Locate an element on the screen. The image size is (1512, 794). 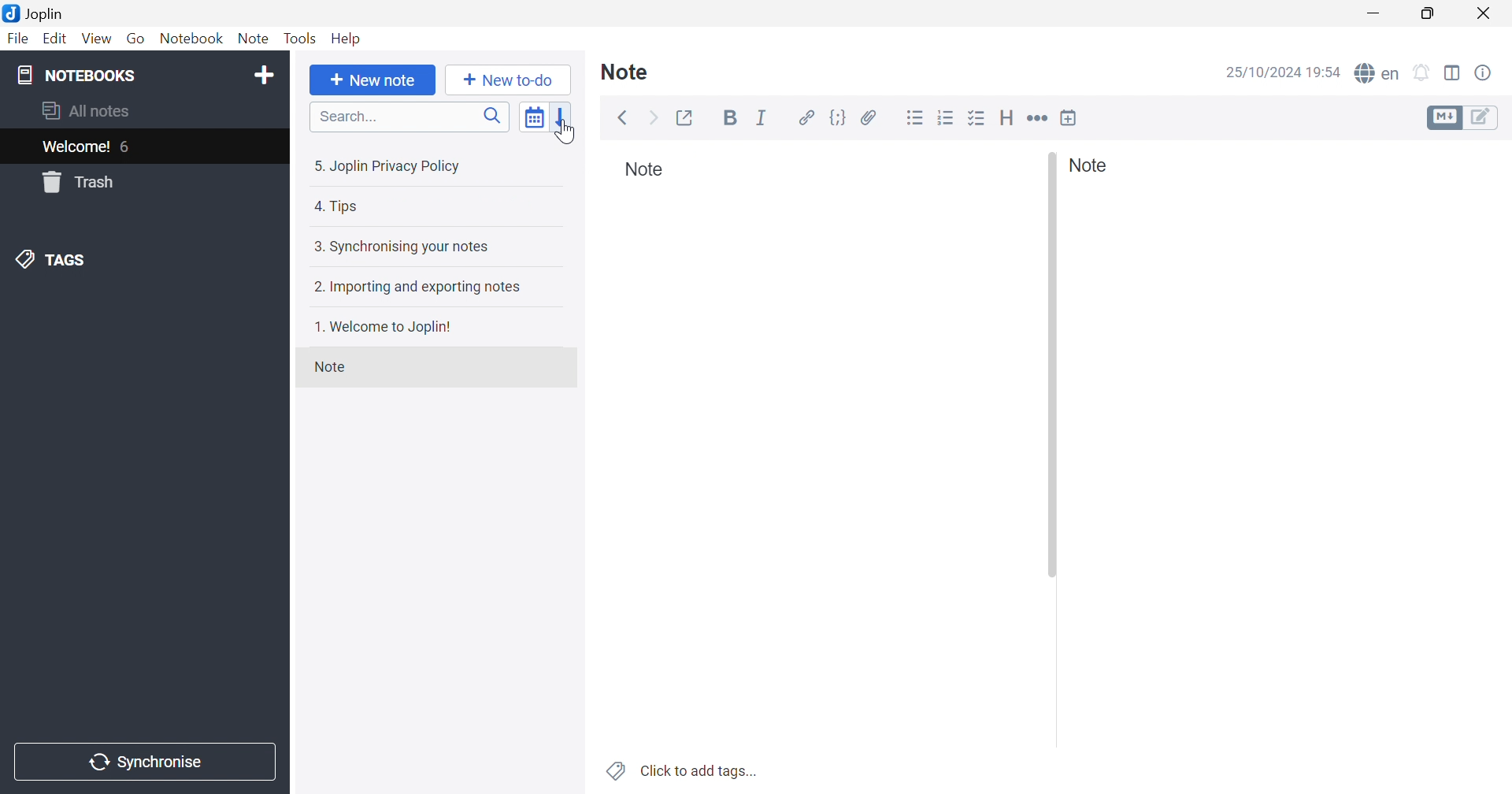
Joplin is located at coordinates (38, 12).